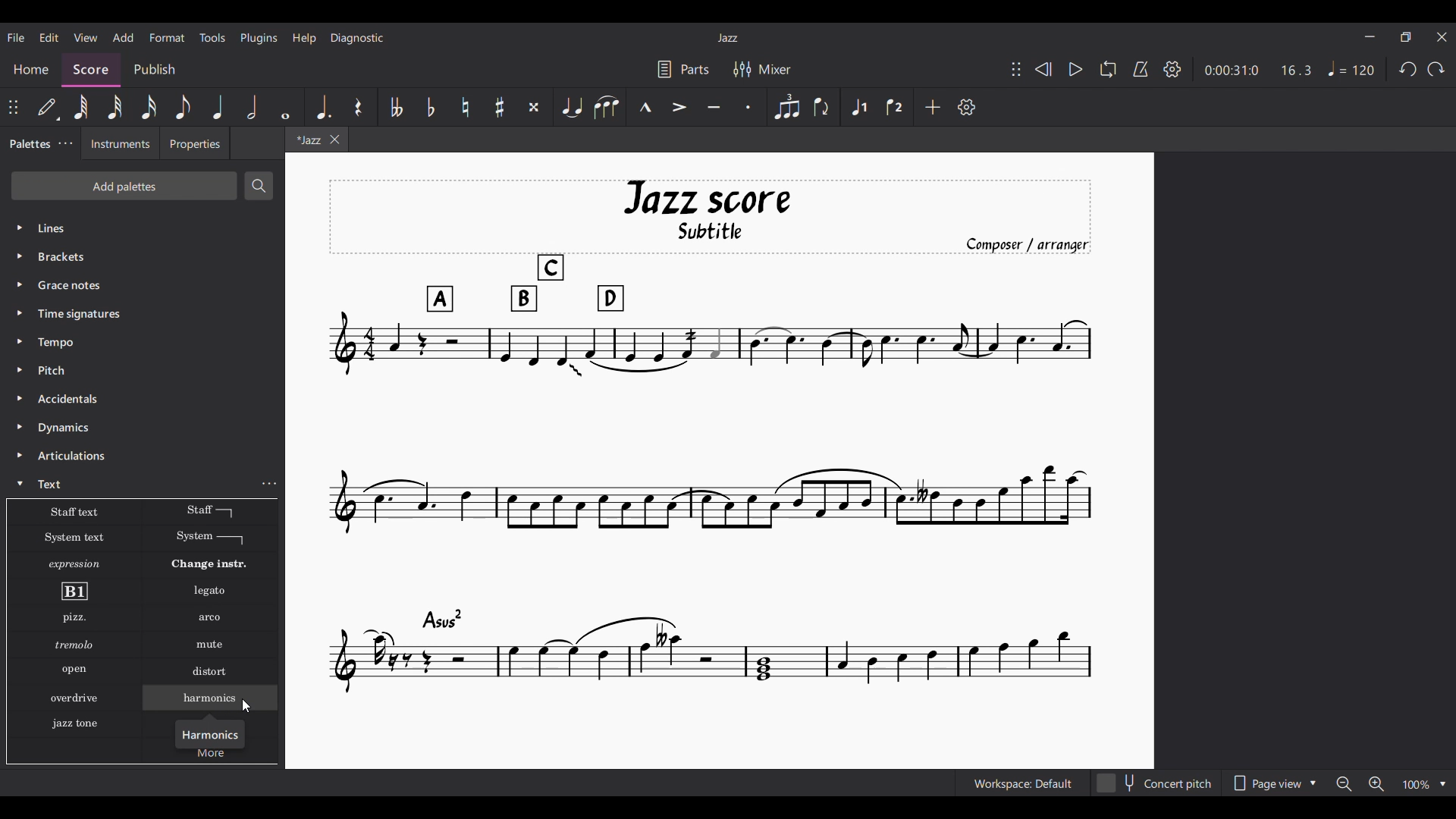 Image resolution: width=1456 pixels, height=819 pixels. Describe the element at coordinates (89, 66) in the screenshot. I see `Score, current section highlighted` at that location.